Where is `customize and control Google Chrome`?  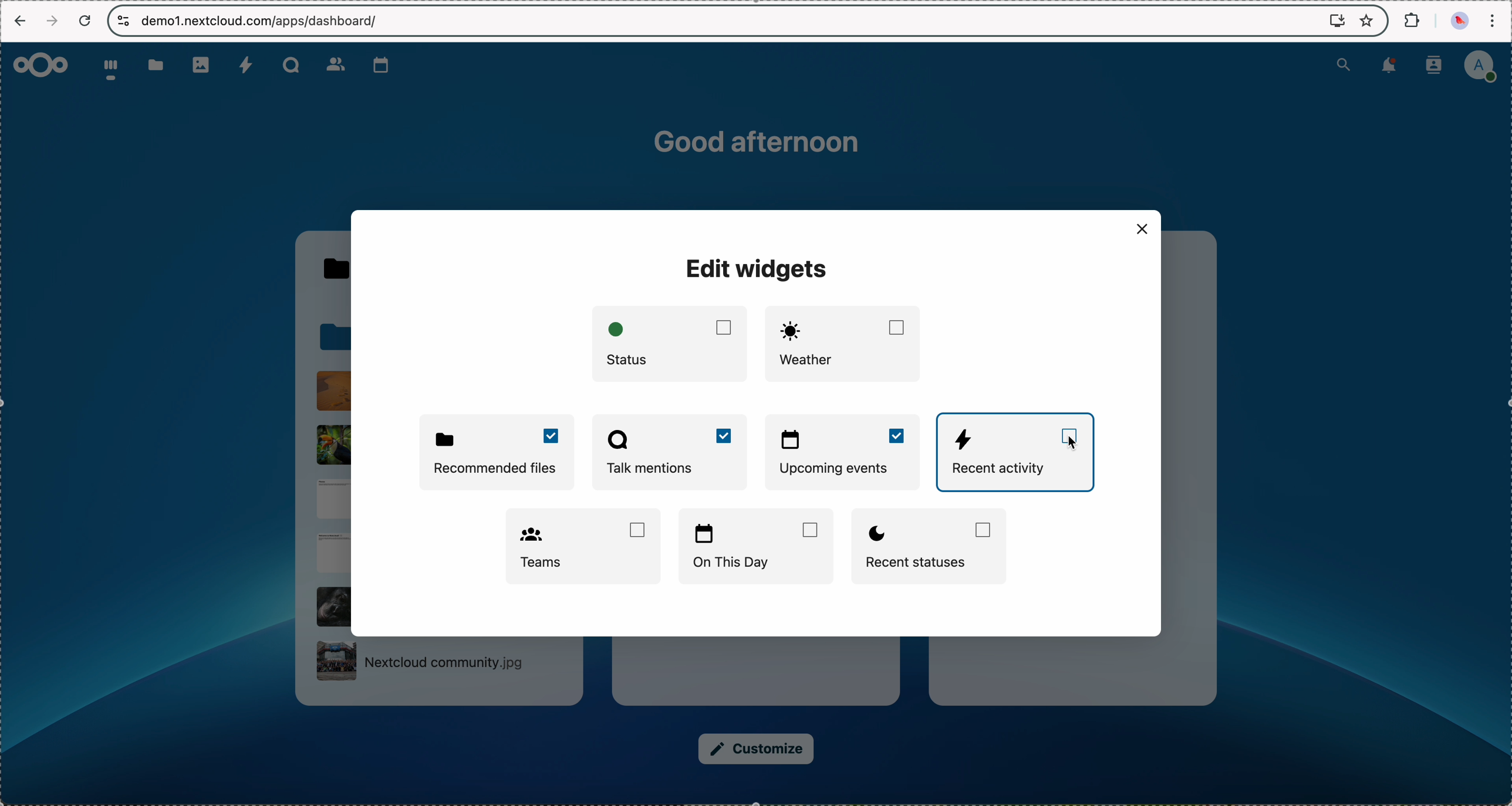 customize and control Google Chrome is located at coordinates (1496, 19).